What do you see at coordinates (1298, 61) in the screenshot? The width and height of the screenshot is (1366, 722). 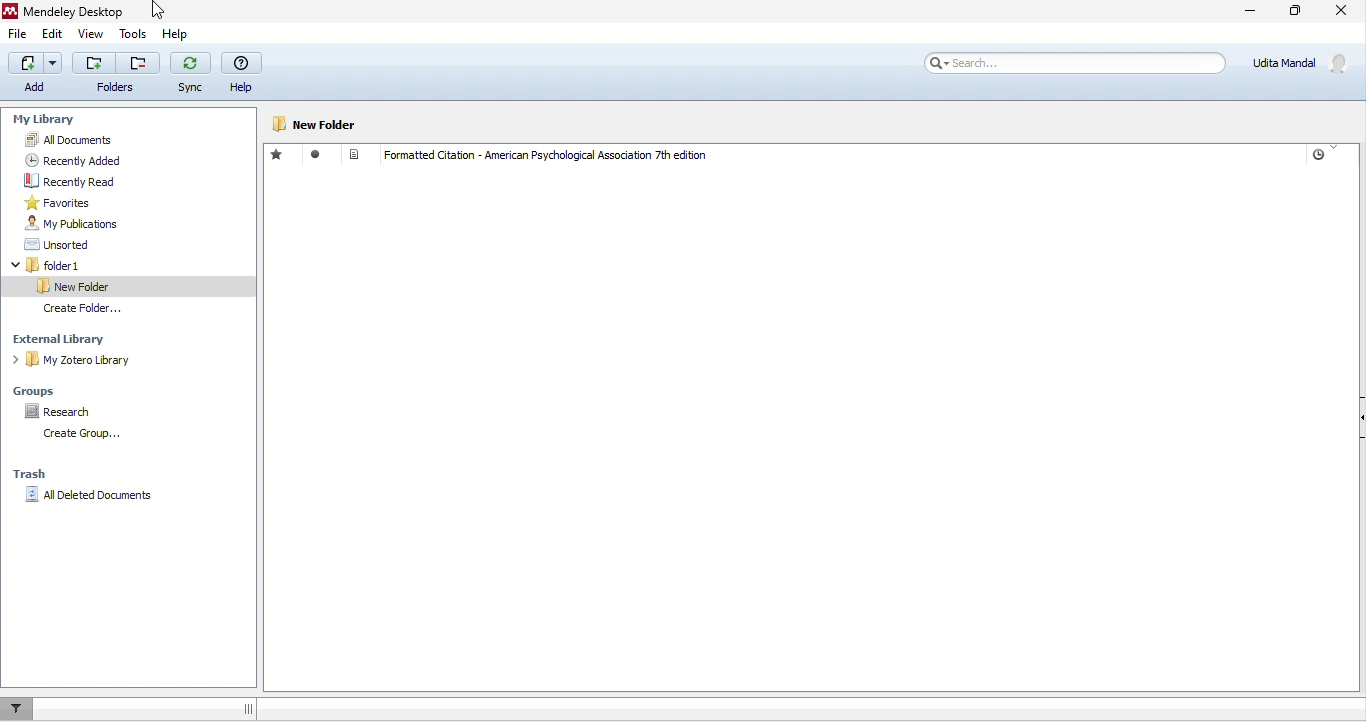 I see `Udita Mandal` at bounding box center [1298, 61].